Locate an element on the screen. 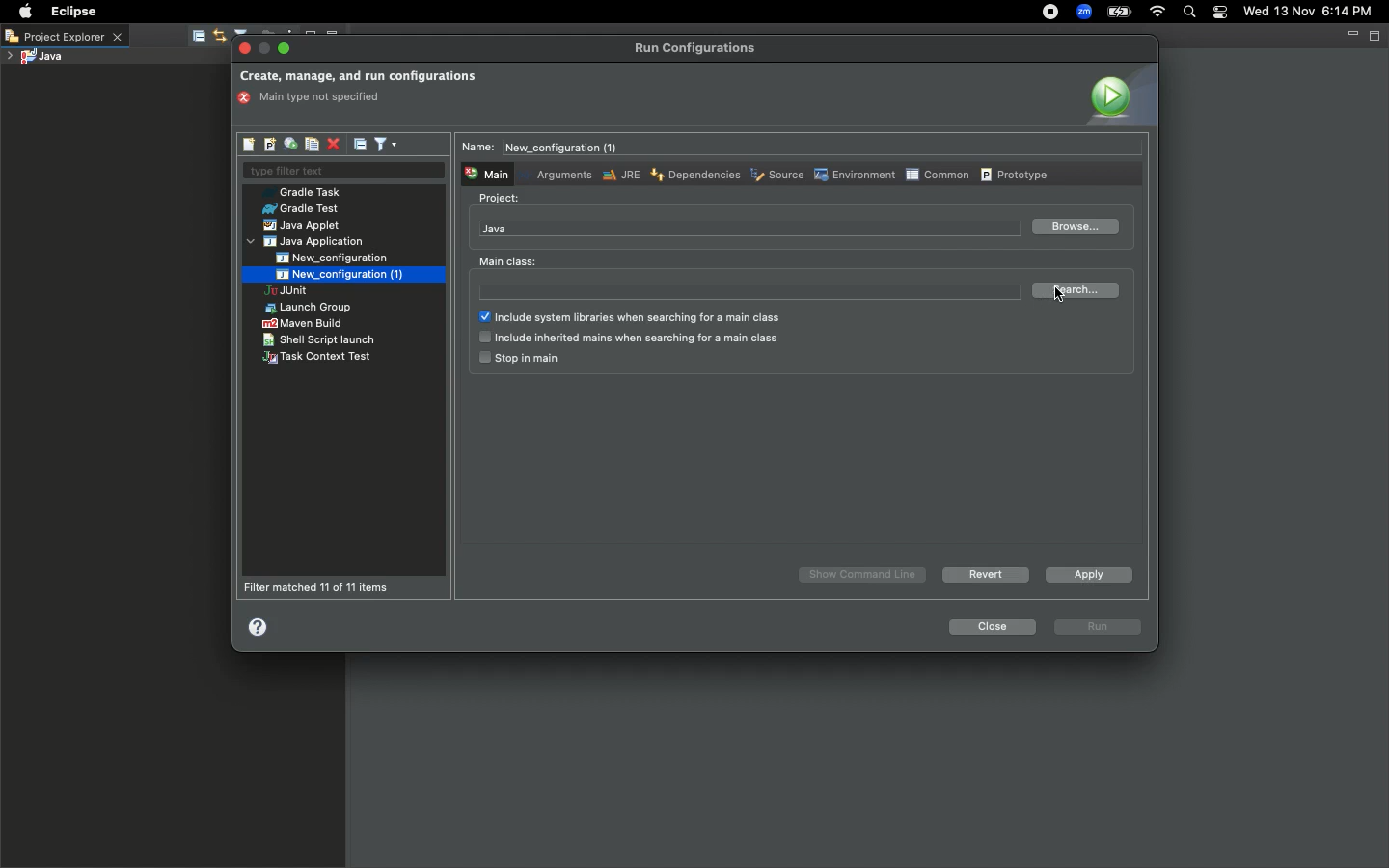 The image size is (1389, 868). Search... is located at coordinates (1079, 290).